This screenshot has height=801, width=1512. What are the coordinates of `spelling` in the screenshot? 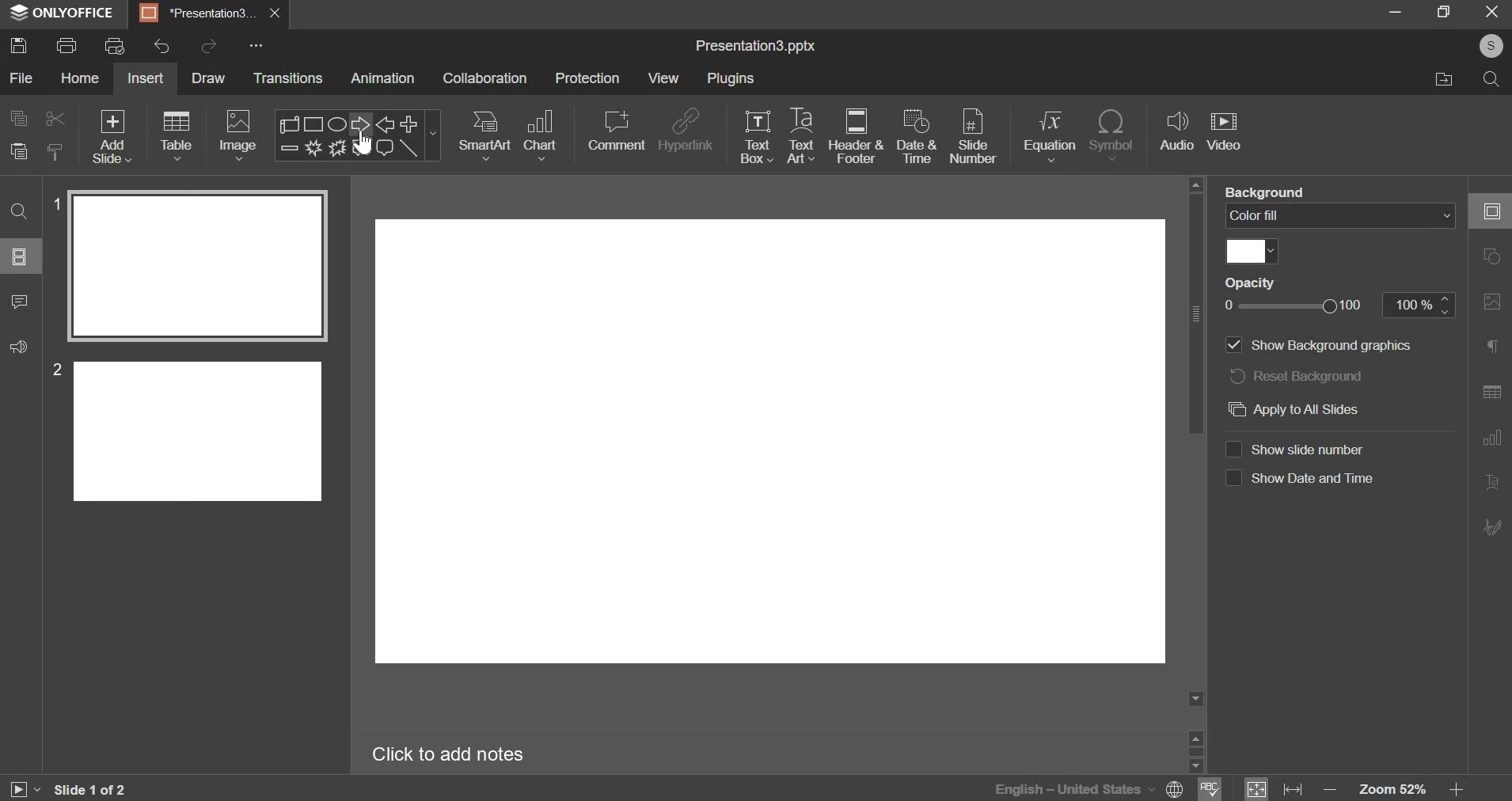 It's located at (1210, 788).